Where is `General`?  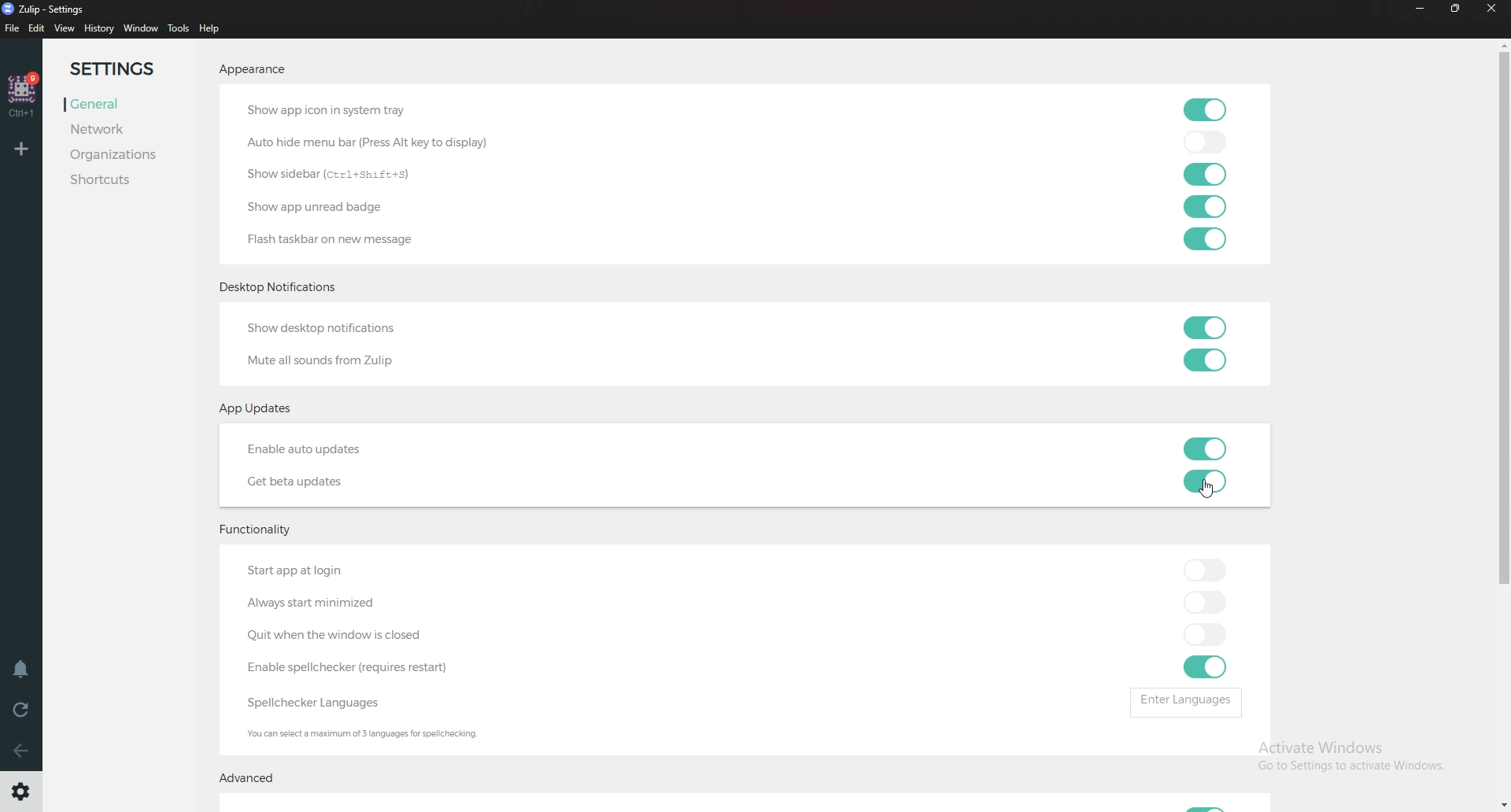 General is located at coordinates (129, 104).